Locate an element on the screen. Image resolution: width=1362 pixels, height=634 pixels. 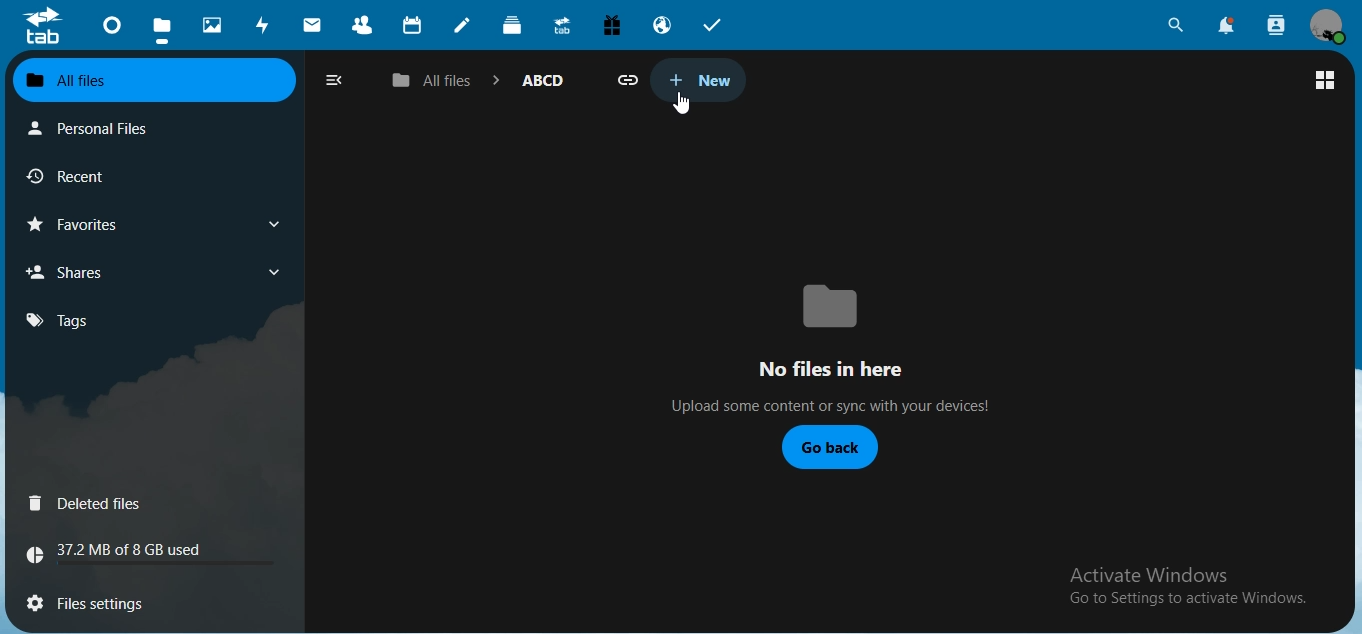
show is located at coordinates (280, 223).